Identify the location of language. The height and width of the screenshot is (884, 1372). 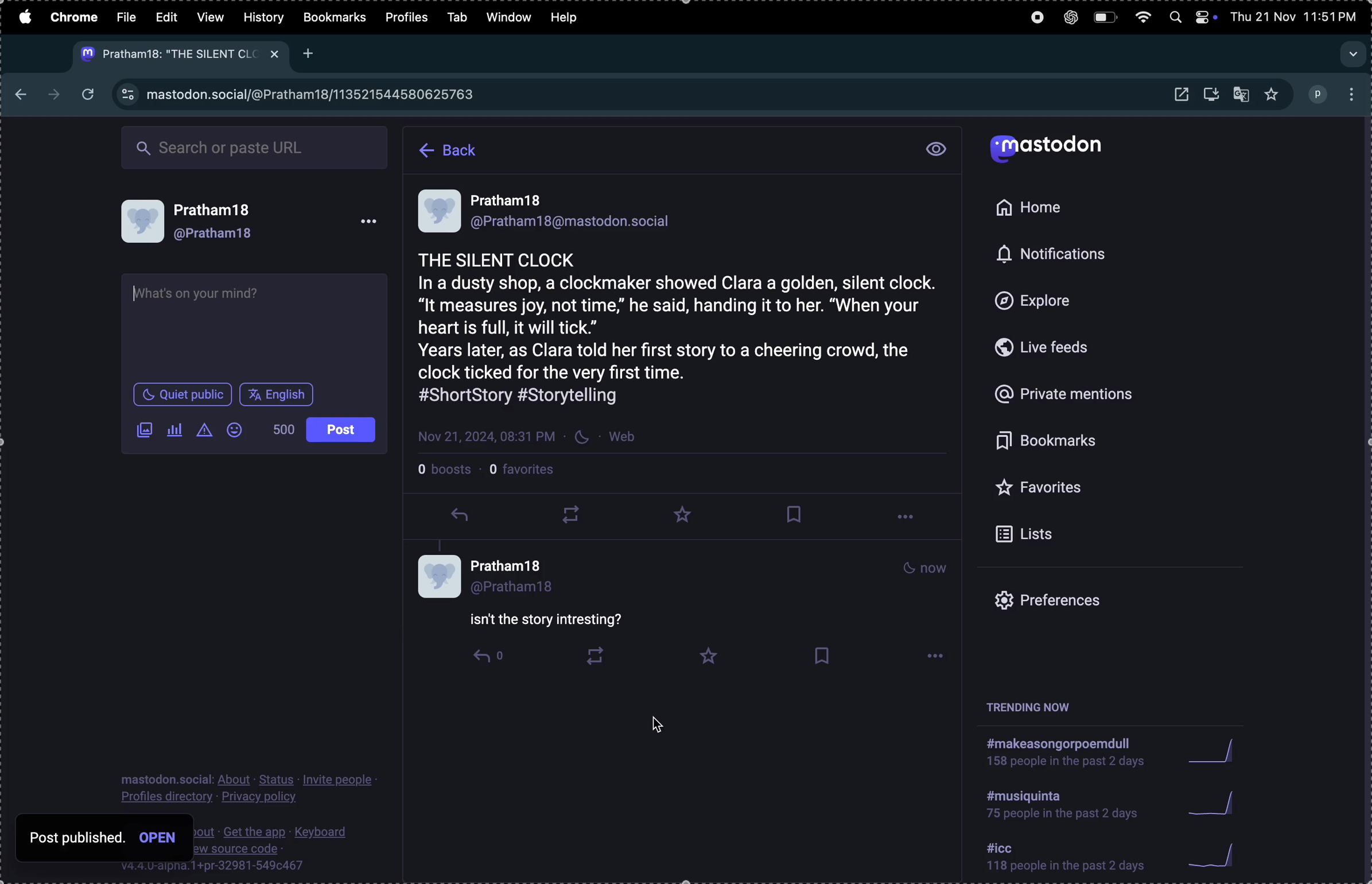
(343, 430).